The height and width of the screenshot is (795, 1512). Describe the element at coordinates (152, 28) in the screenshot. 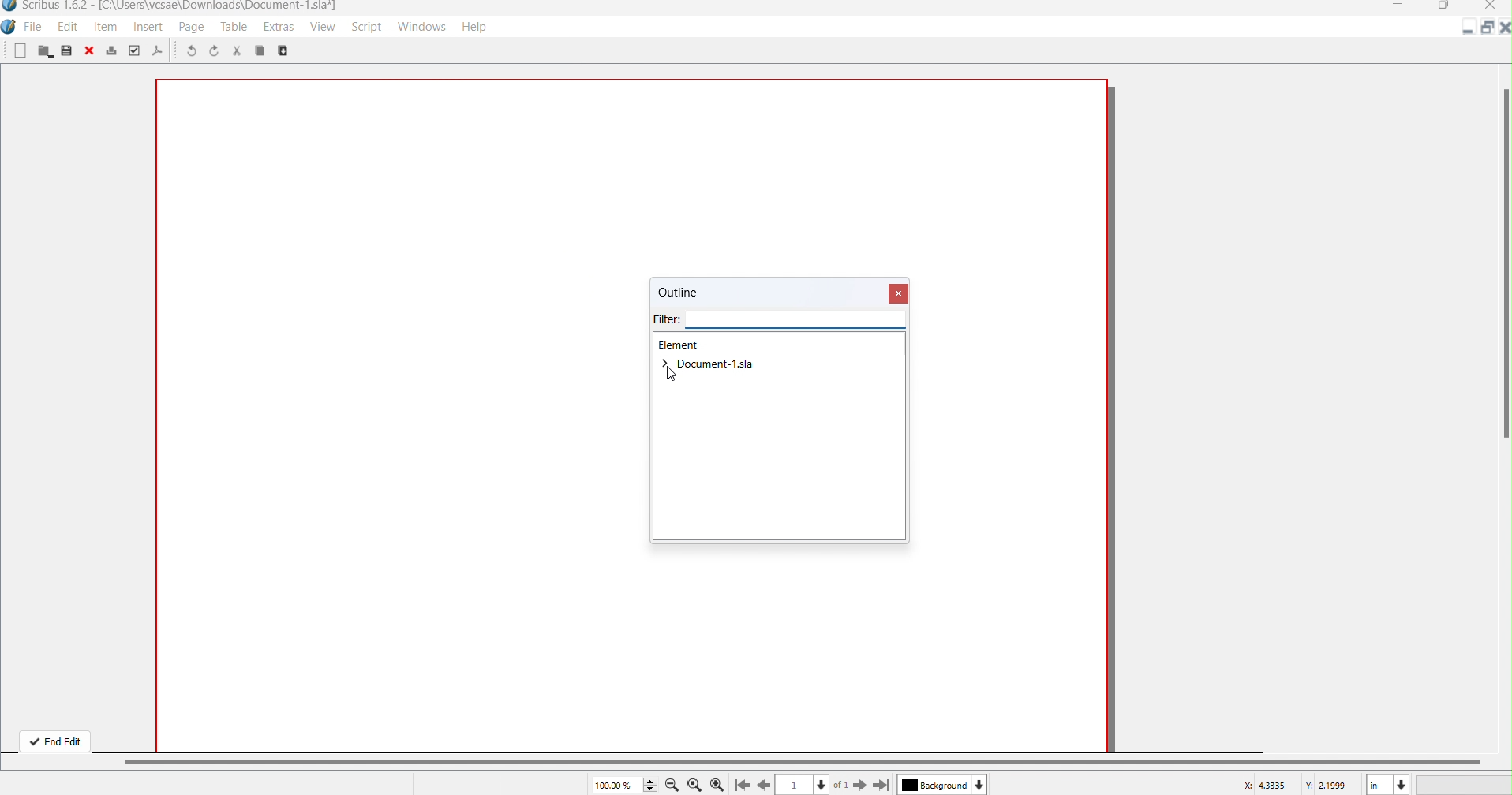

I see `` at that location.